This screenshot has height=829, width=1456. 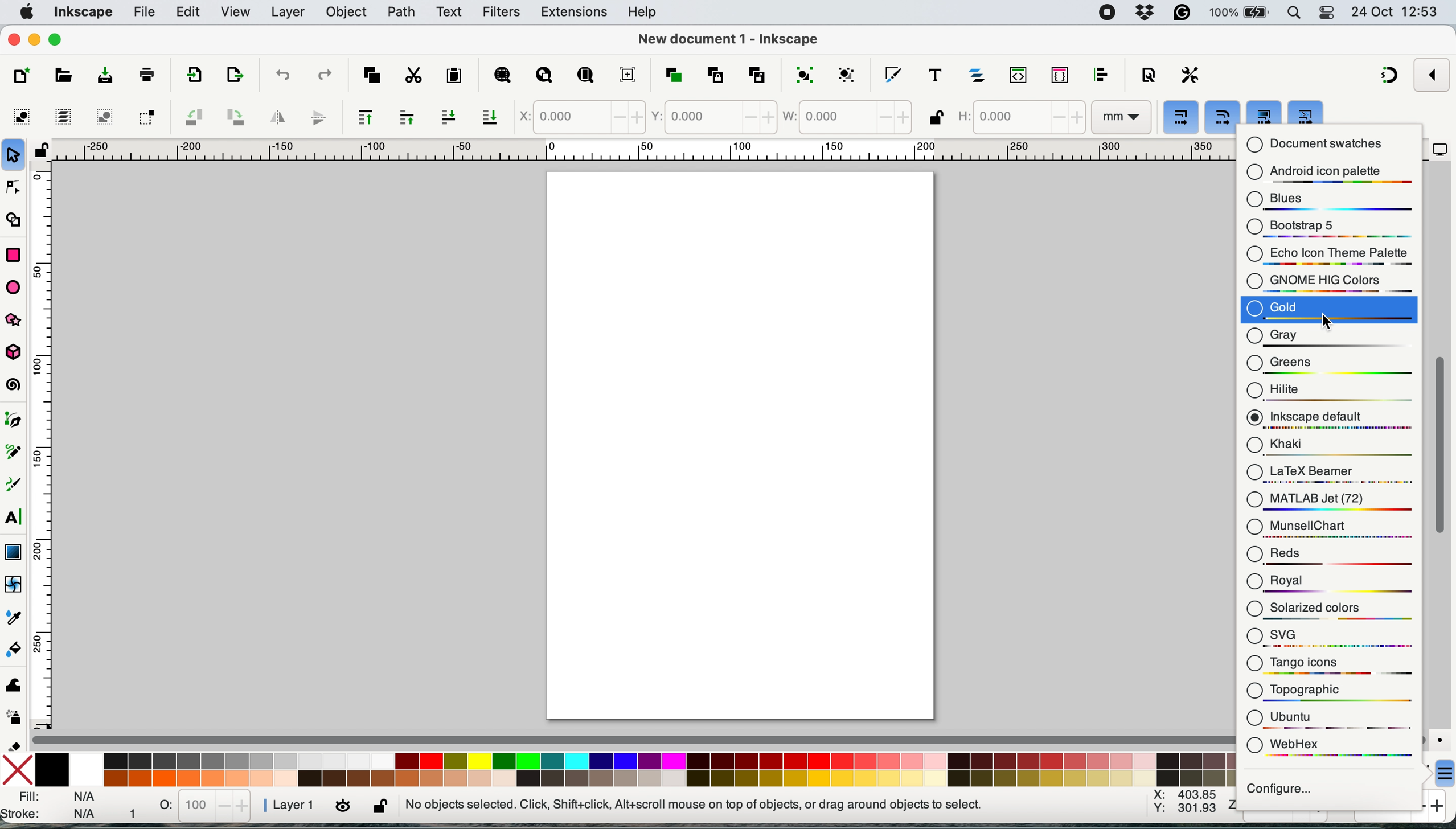 What do you see at coordinates (846, 120) in the screenshot?
I see `width` at bounding box center [846, 120].